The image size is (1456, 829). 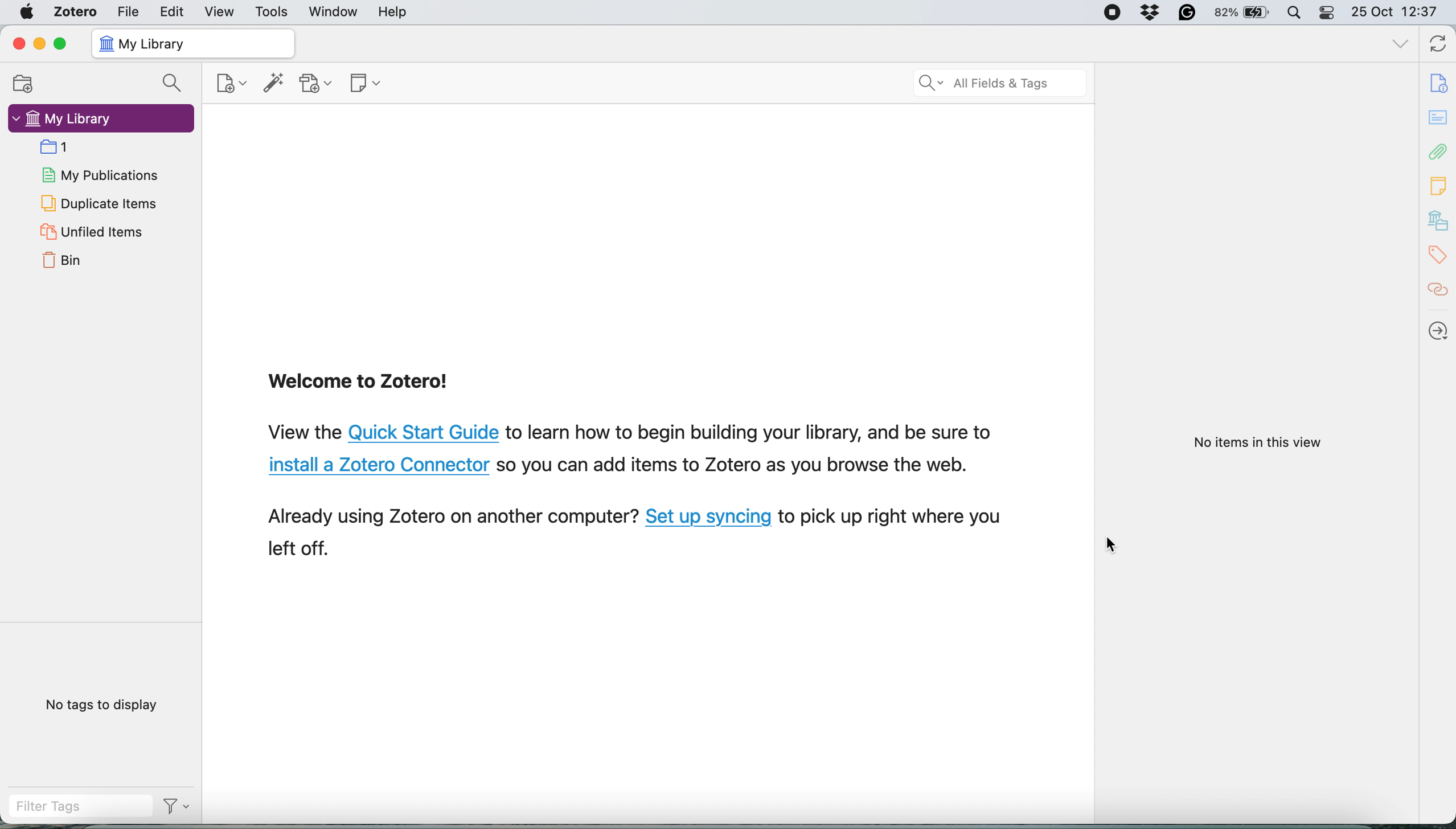 What do you see at coordinates (996, 84) in the screenshot?
I see `search all field ads tags` at bounding box center [996, 84].